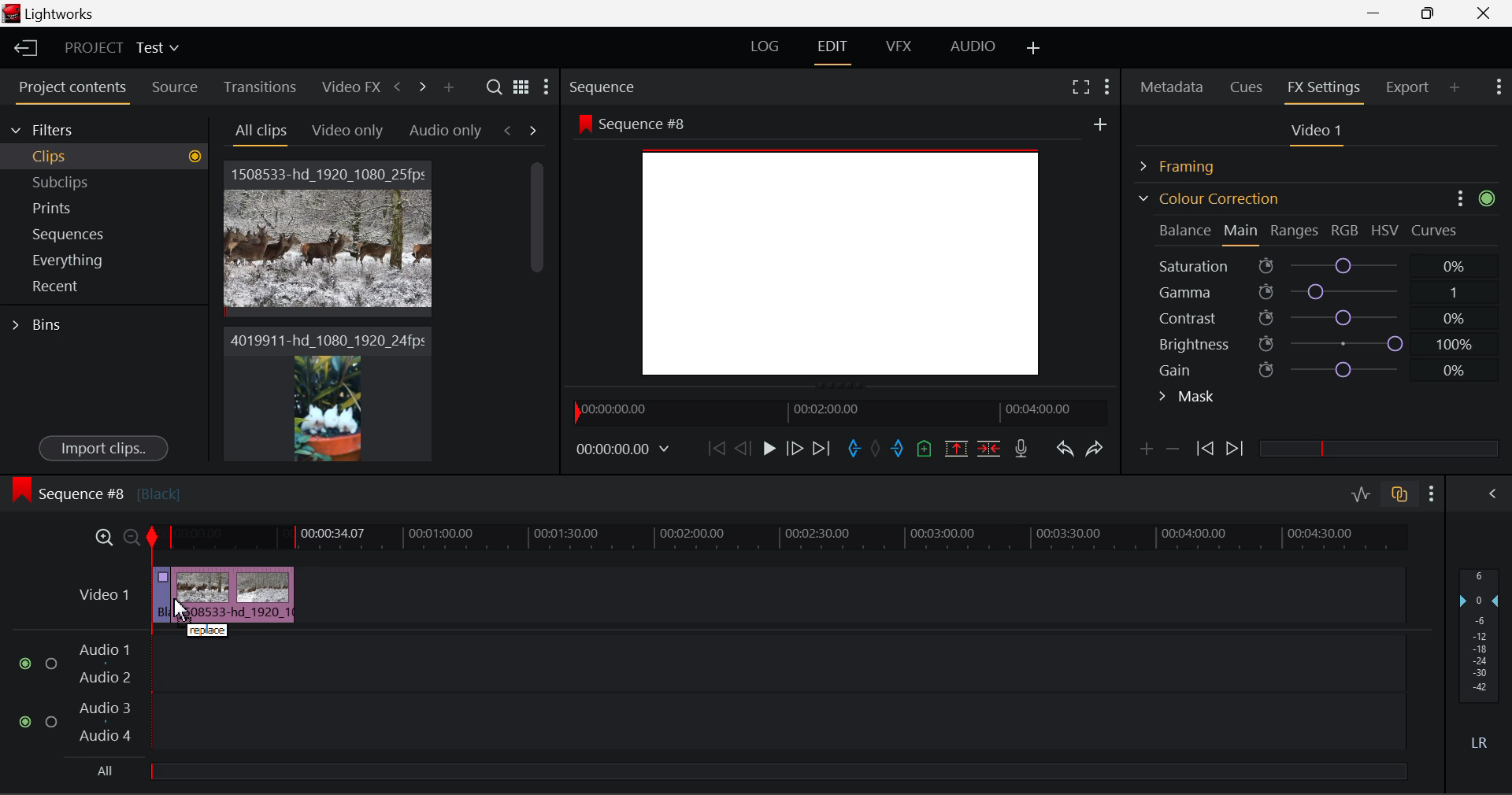 The image size is (1512, 795). I want to click on AUDIO Layout, so click(972, 46).